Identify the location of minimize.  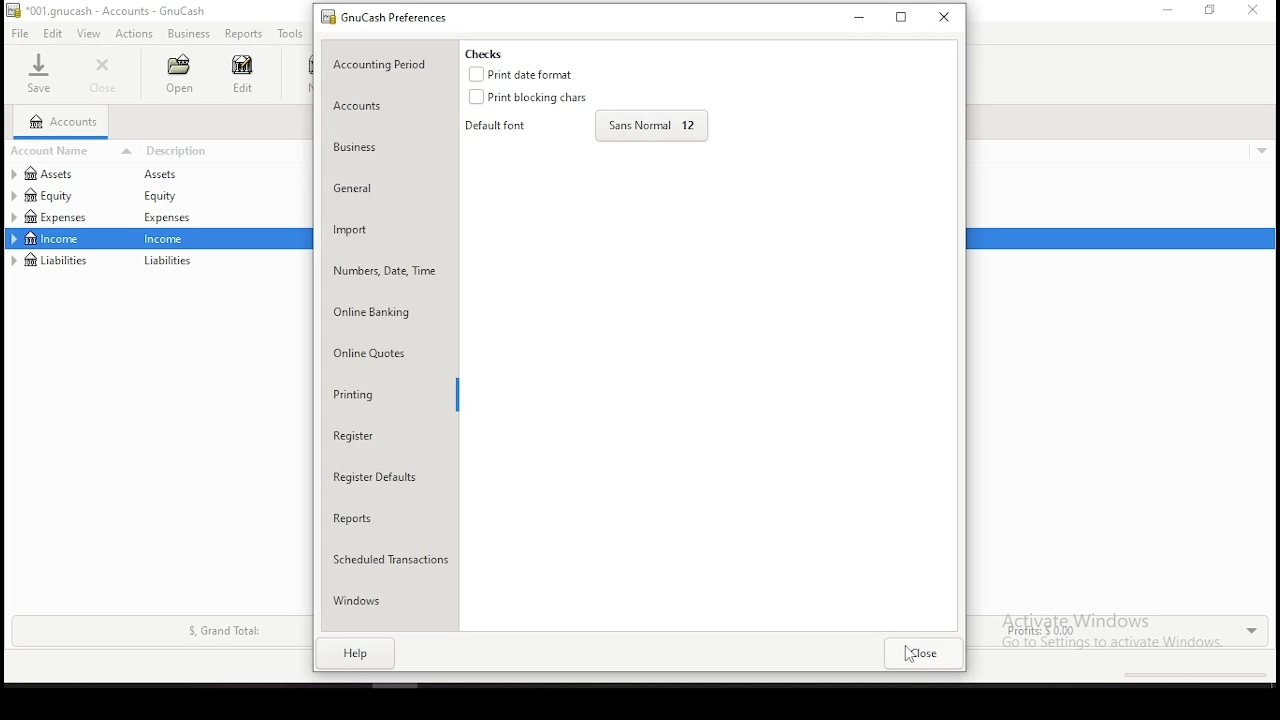
(856, 18).